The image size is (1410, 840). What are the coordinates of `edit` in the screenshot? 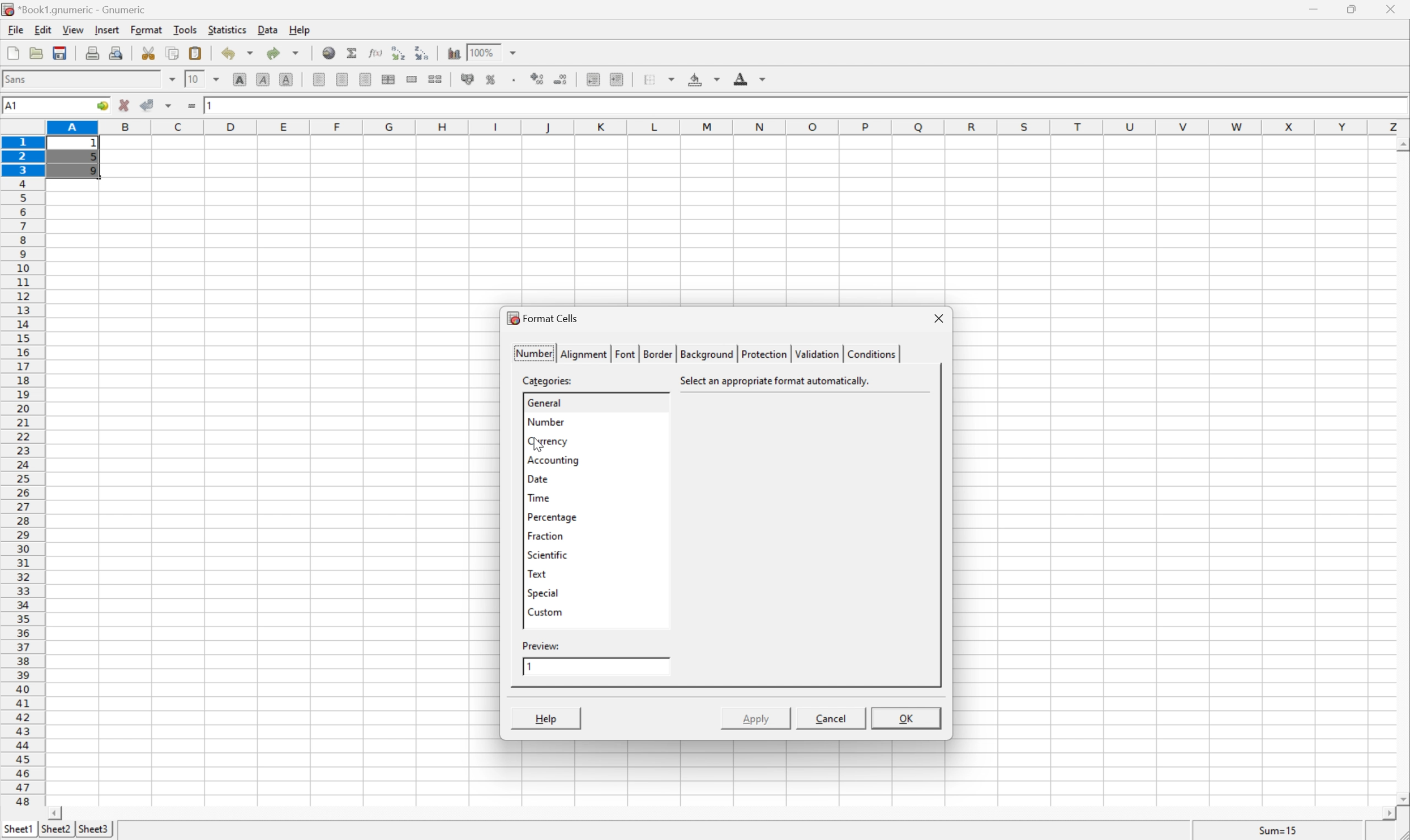 It's located at (44, 28).